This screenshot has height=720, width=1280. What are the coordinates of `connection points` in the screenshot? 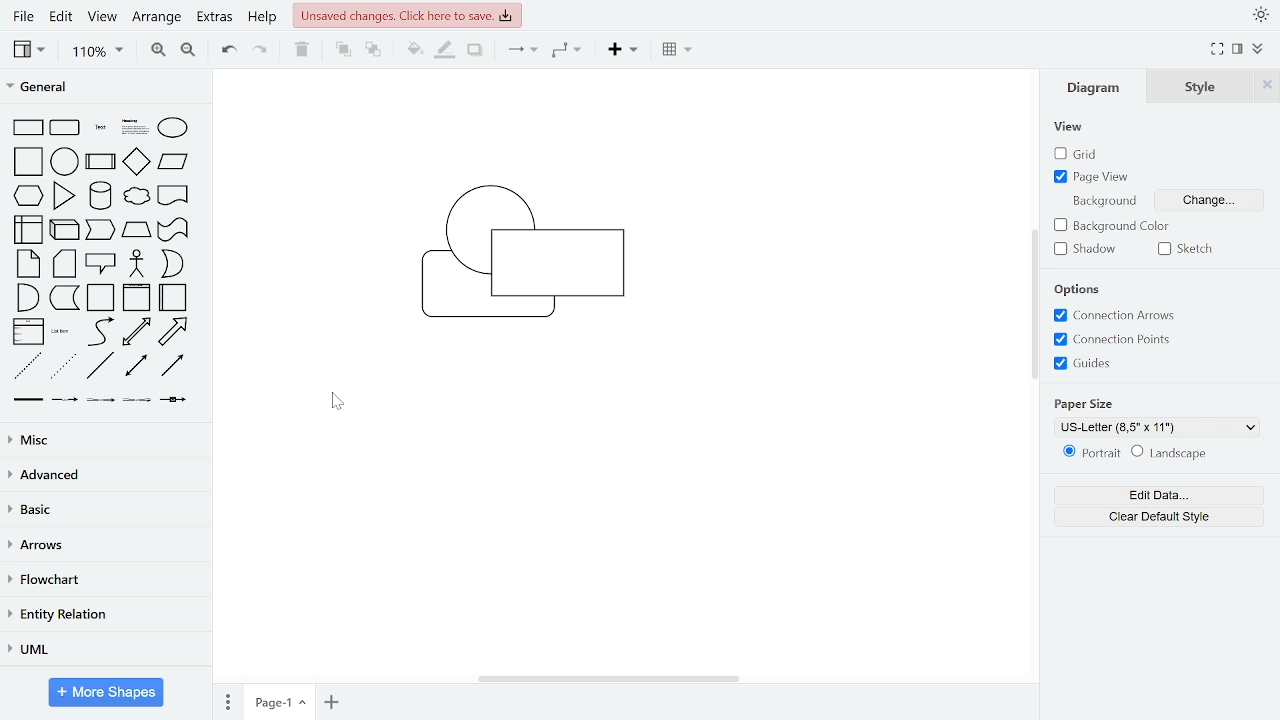 It's located at (1117, 339).